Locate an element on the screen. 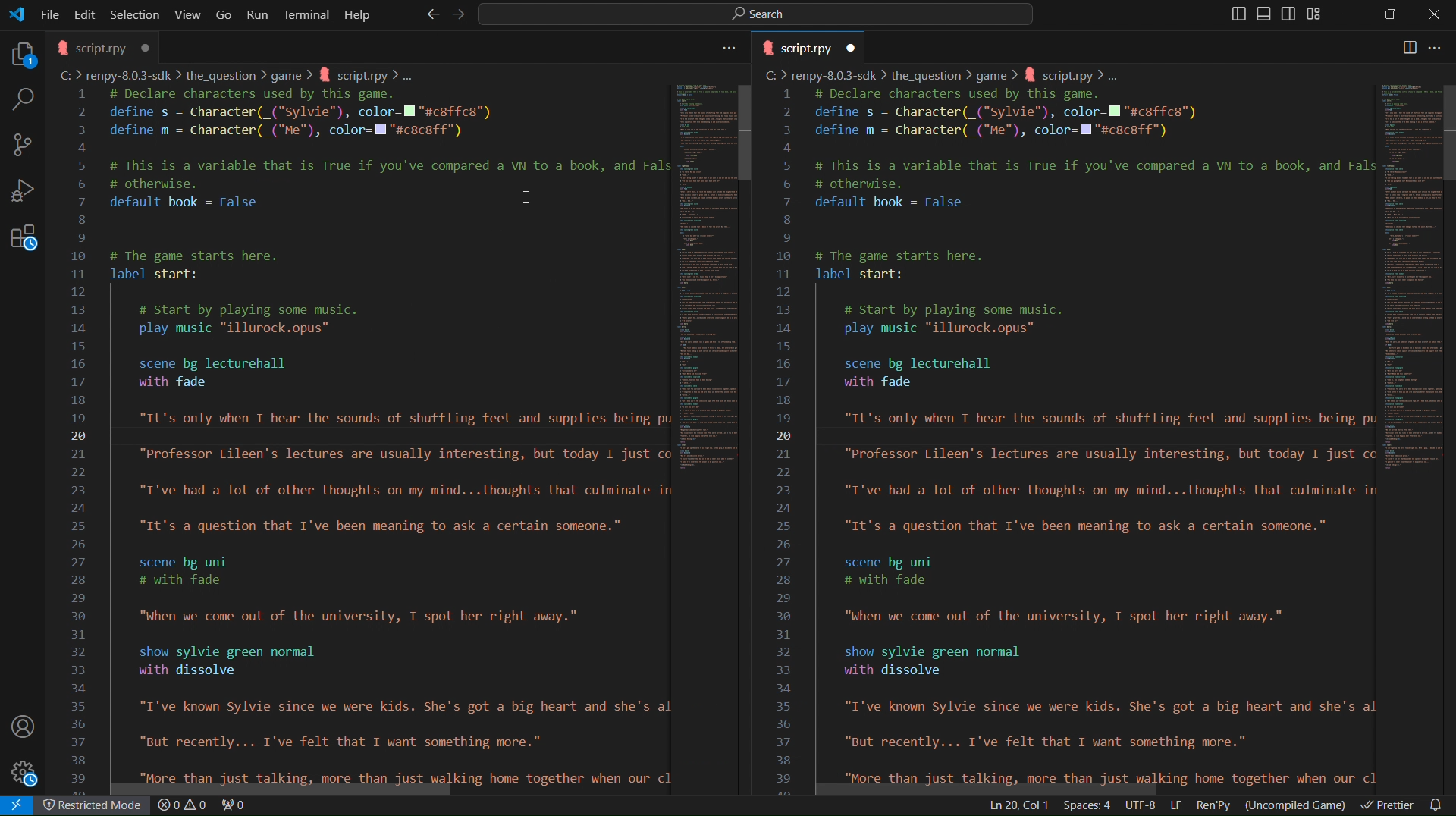  (Uncompiled game) is located at coordinates (1299, 805).